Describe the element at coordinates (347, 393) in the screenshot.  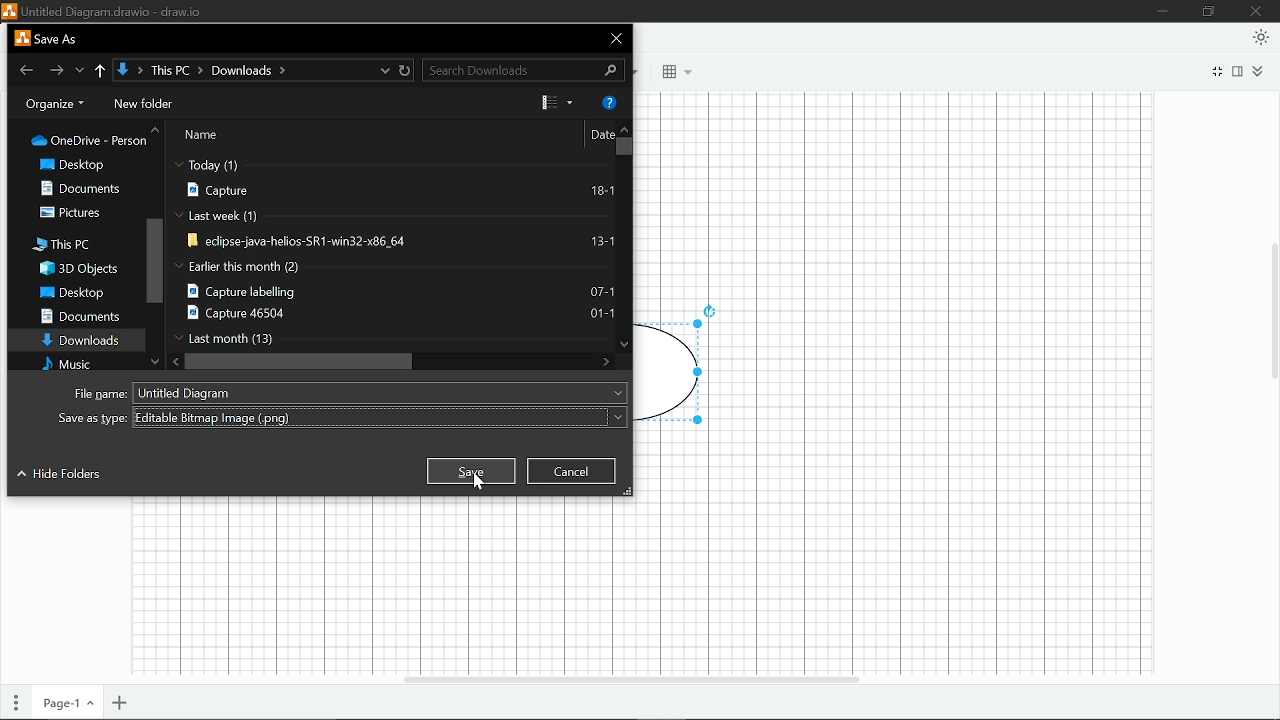
I see `File name` at that location.